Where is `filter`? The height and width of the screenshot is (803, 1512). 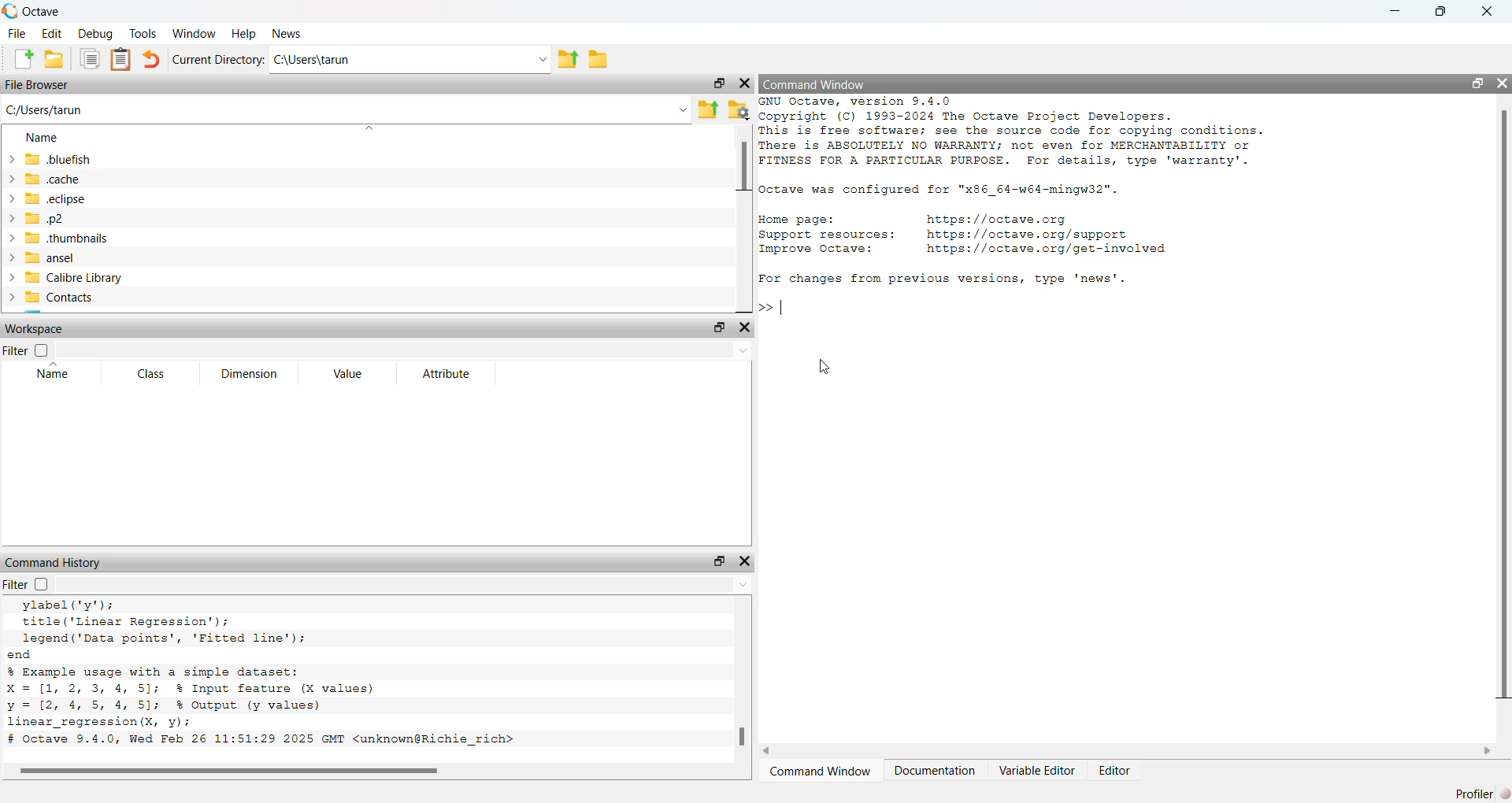 filter is located at coordinates (28, 586).